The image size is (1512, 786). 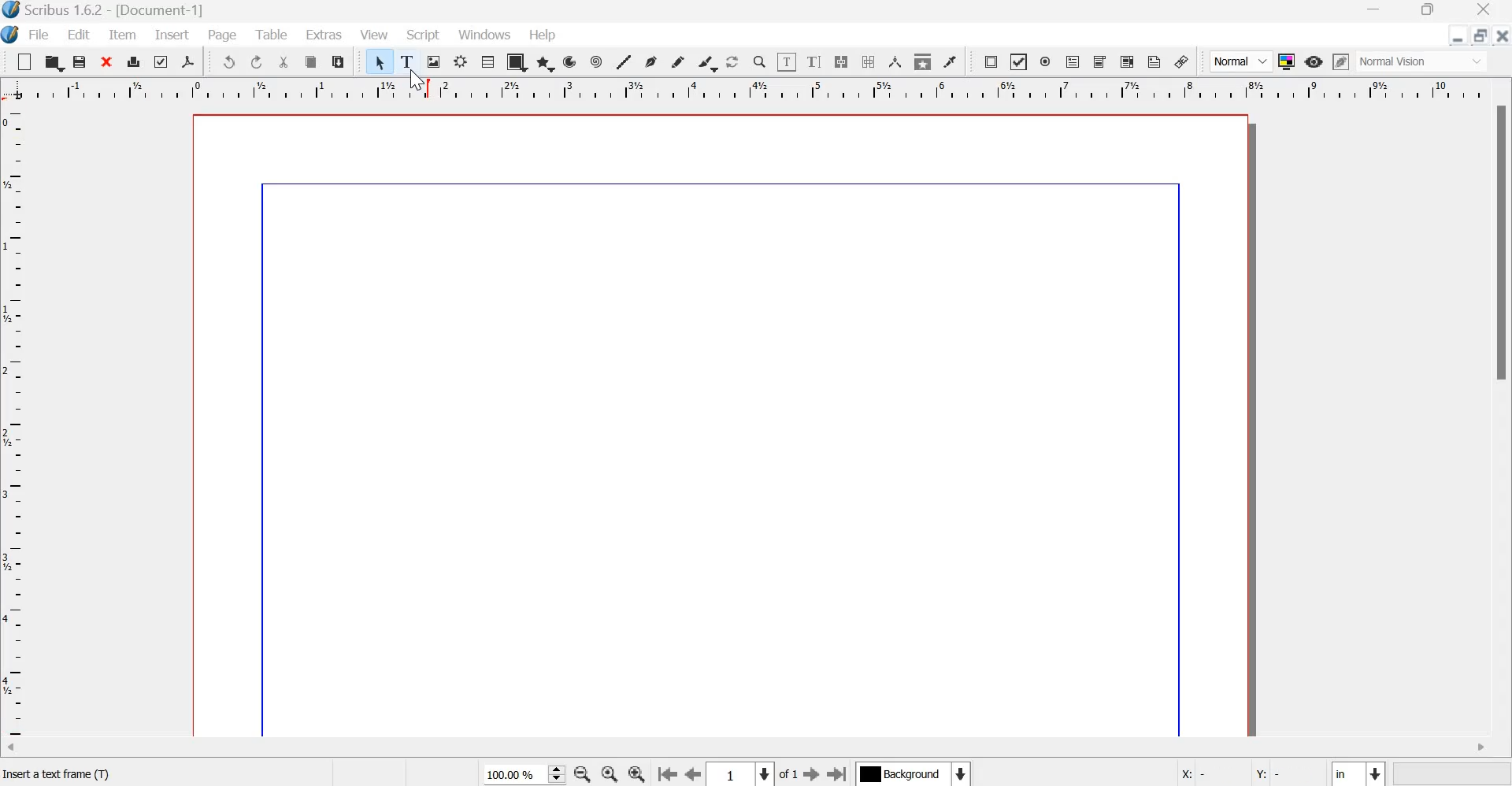 What do you see at coordinates (694, 775) in the screenshot?
I see `go to the previous page` at bounding box center [694, 775].